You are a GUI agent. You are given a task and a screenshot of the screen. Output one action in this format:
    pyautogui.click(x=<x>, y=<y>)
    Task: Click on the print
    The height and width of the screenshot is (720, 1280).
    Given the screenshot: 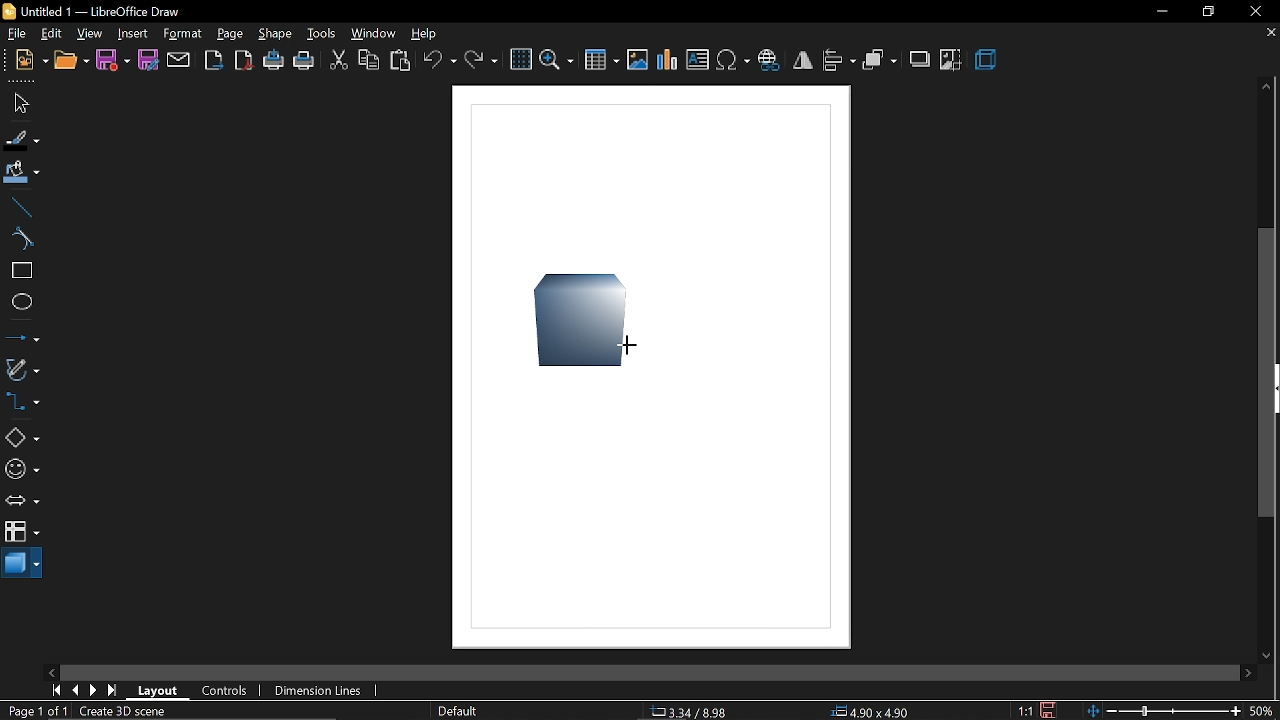 What is the action you would take?
    pyautogui.click(x=304, y=63)
    